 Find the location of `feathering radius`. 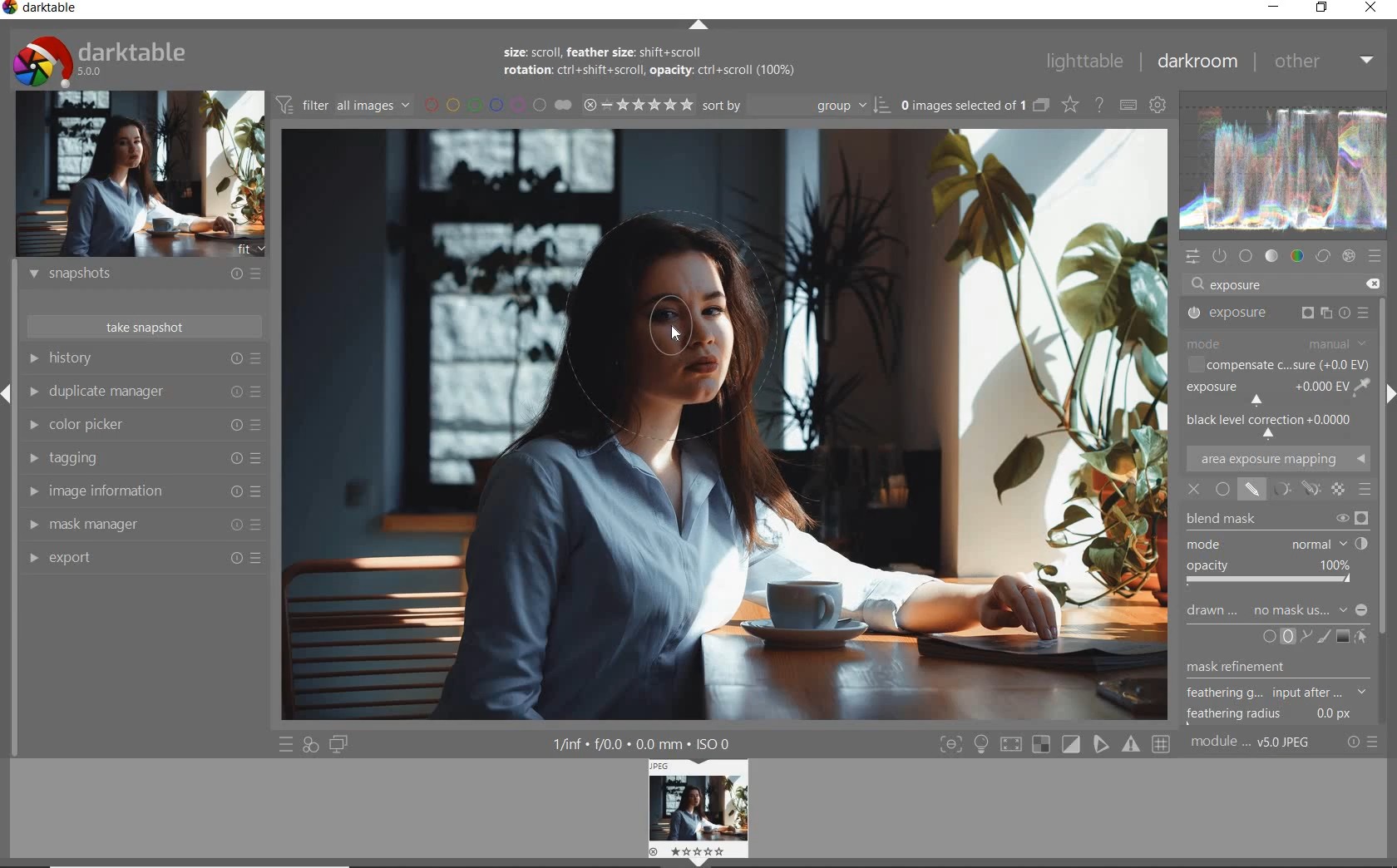

feathering radius is located at coordinates (1269, 714).